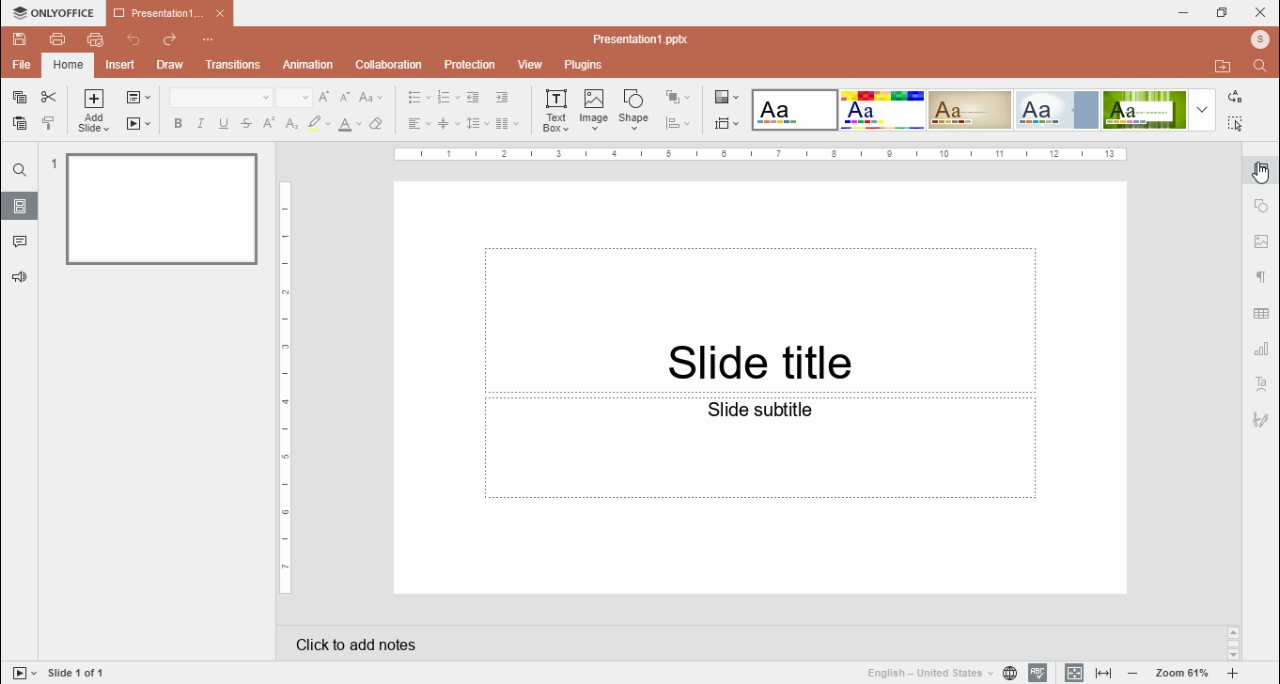 The width and height of the screenshot is (1280, 684). I want to click on home, so click(66, 66).